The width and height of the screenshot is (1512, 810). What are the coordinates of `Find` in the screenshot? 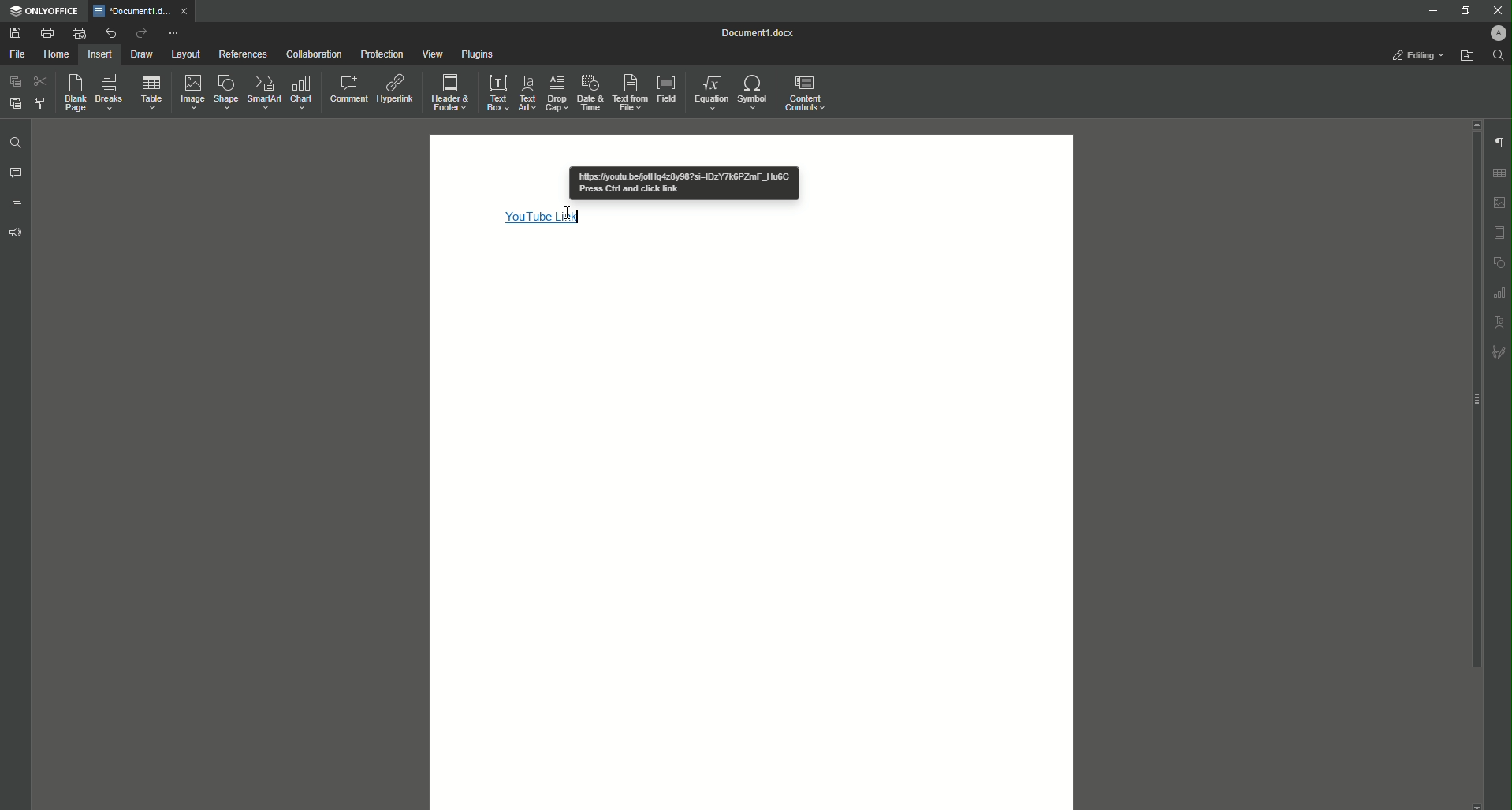 It's located at (16, 143).